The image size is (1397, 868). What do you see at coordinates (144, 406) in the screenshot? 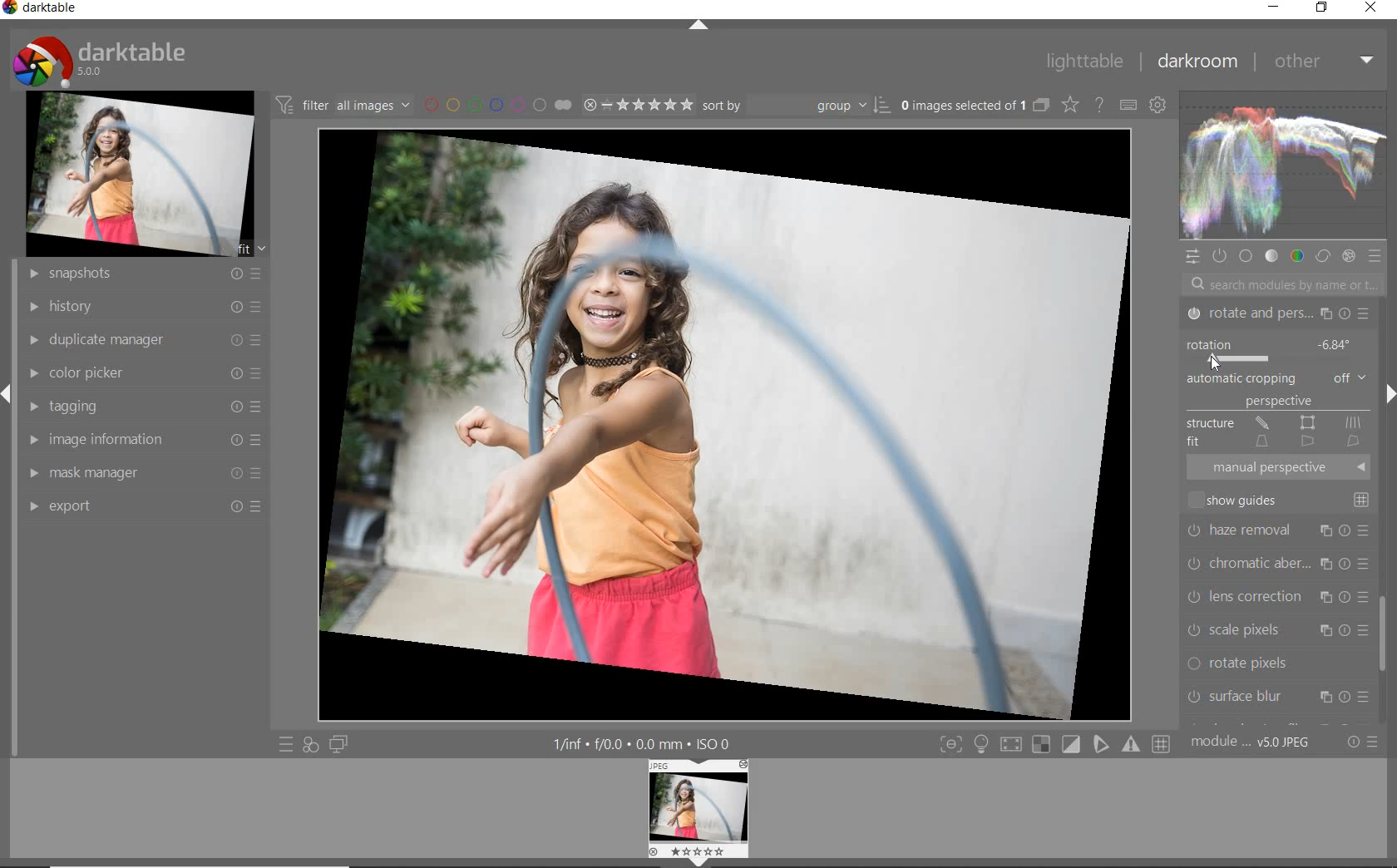
I see `tagging` at bounding box center [144, 406].